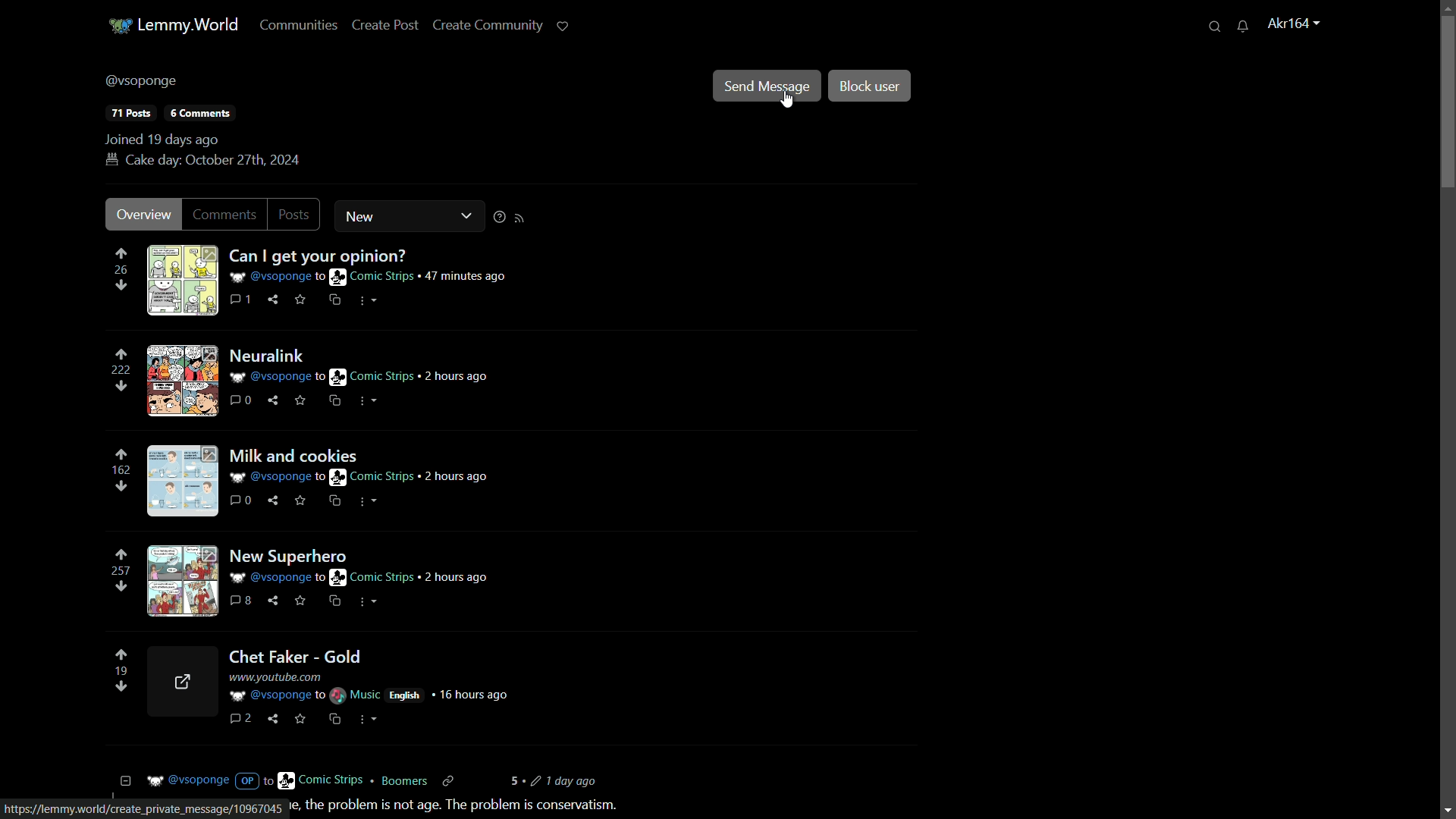 This screenshot has height=819, width=1456. What do you see at coordinates (488, 27) in the screenshot?
I see `create community` at bounding box center [488, 27].